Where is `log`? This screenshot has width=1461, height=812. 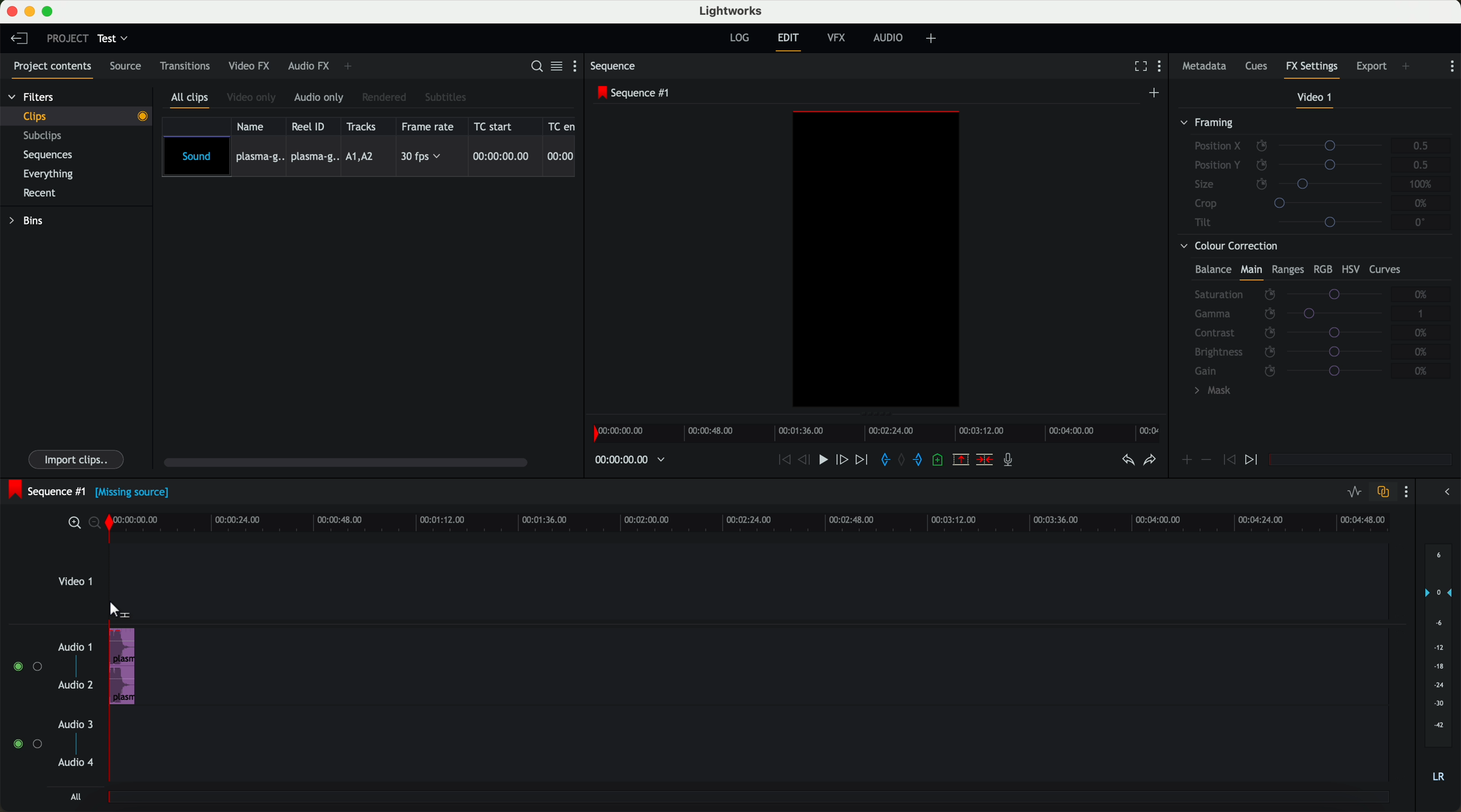 log is located at coordinates (738, 38).